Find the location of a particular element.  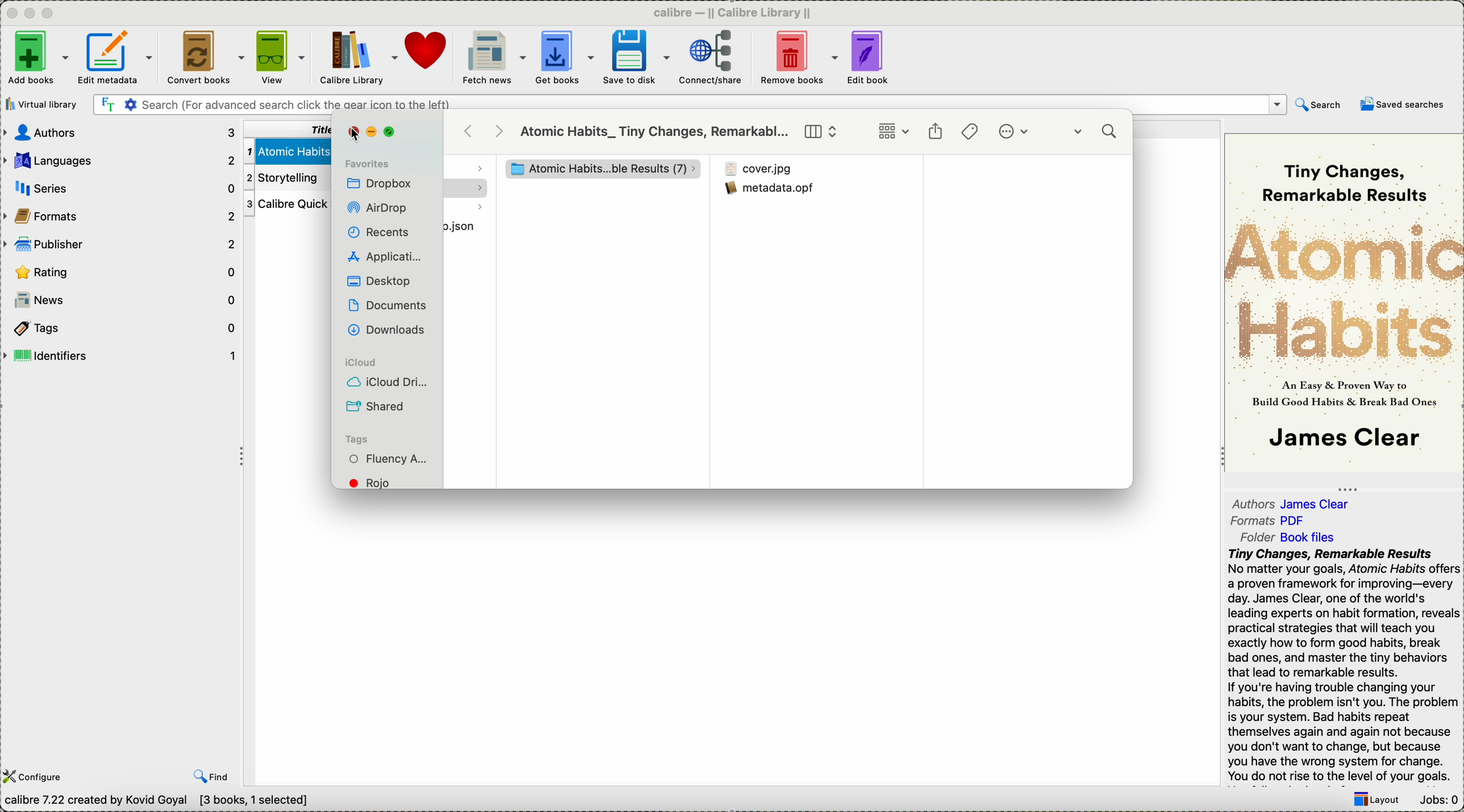

virtual library is located at coordinates (44, 104).